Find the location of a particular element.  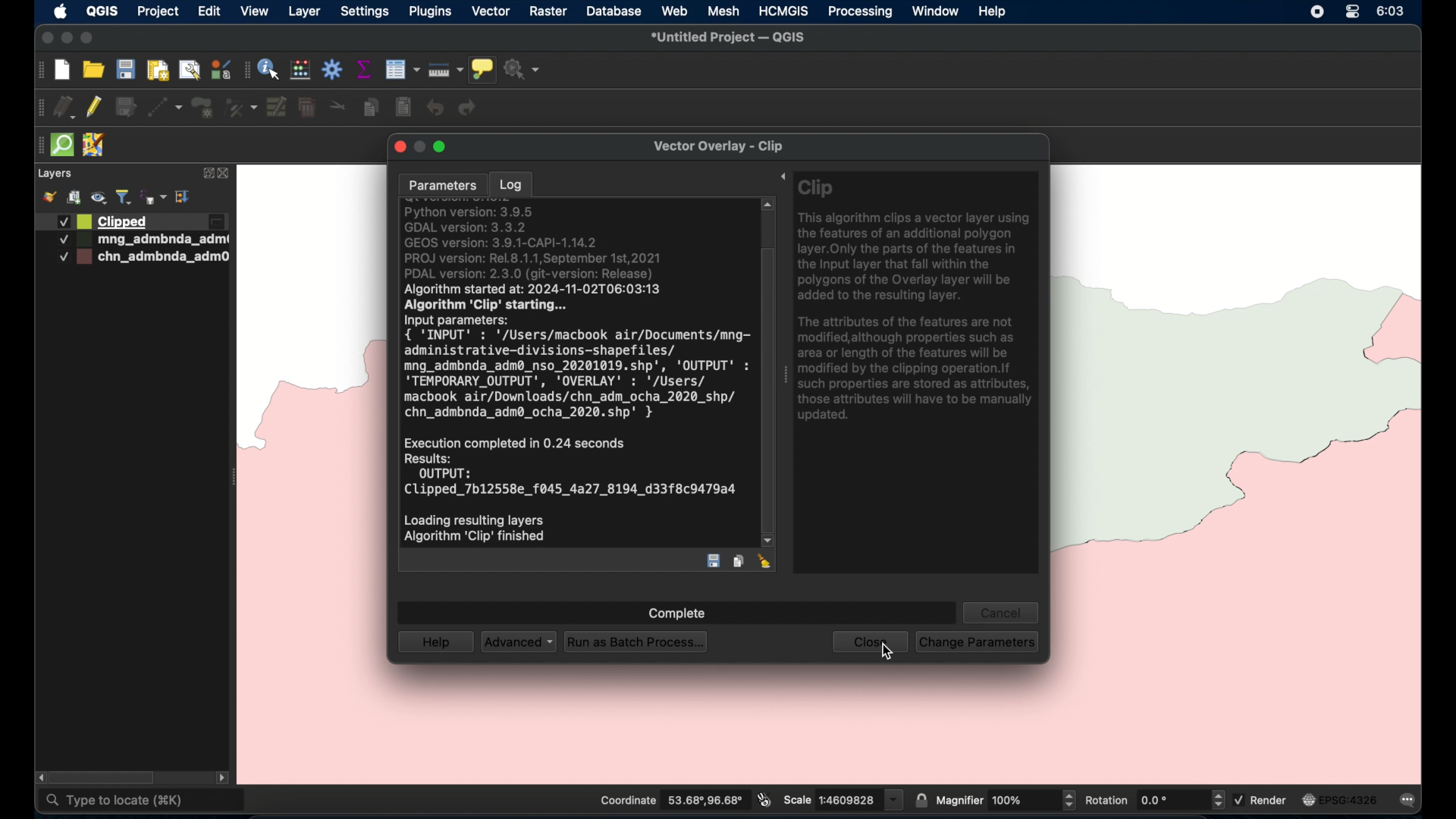

expand is located at coordinates (778, 177).